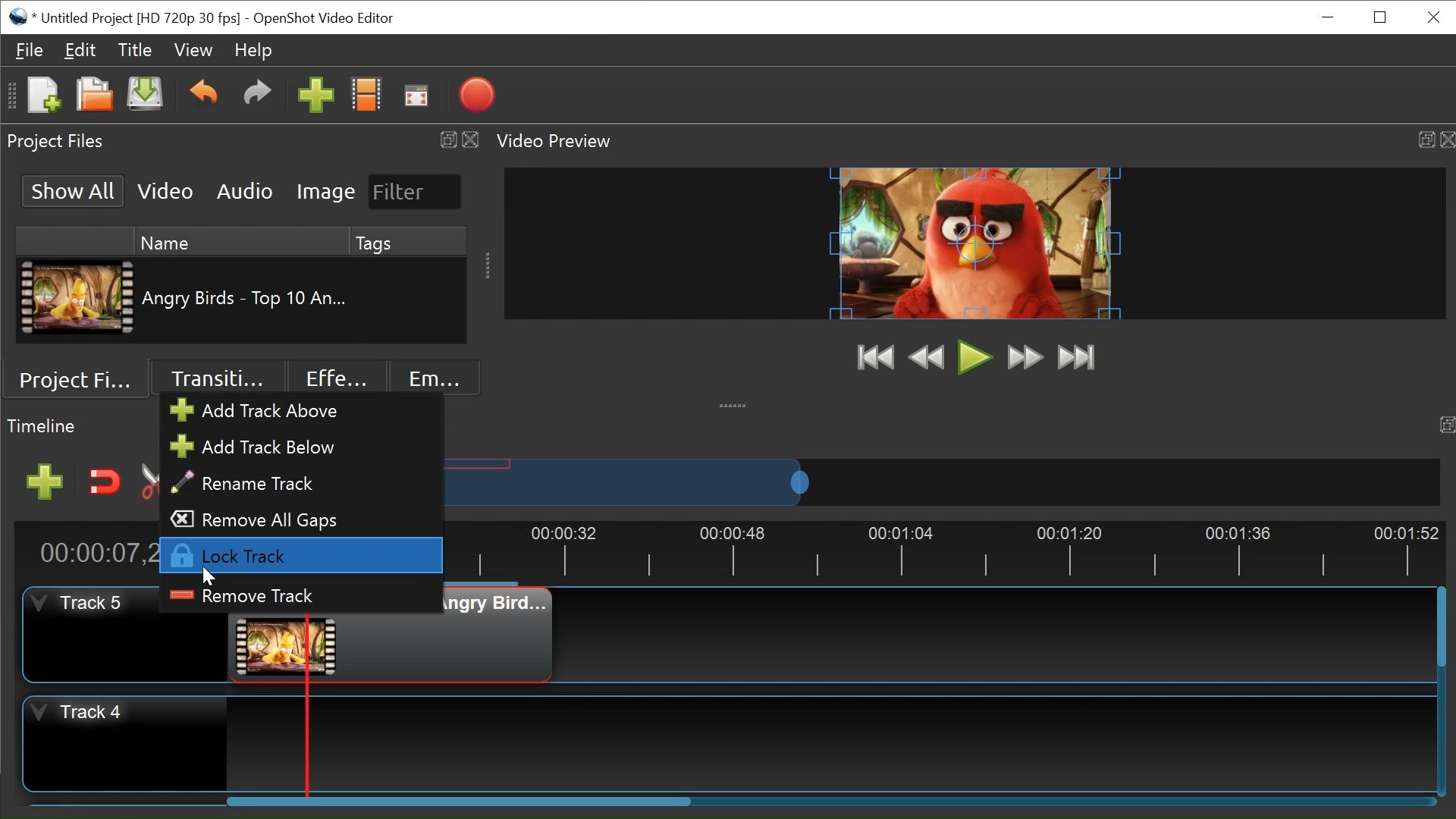  What do you see at coordinates (105, 482) in the screenshot?
I see `Snap` at bounding box center [105, 482].